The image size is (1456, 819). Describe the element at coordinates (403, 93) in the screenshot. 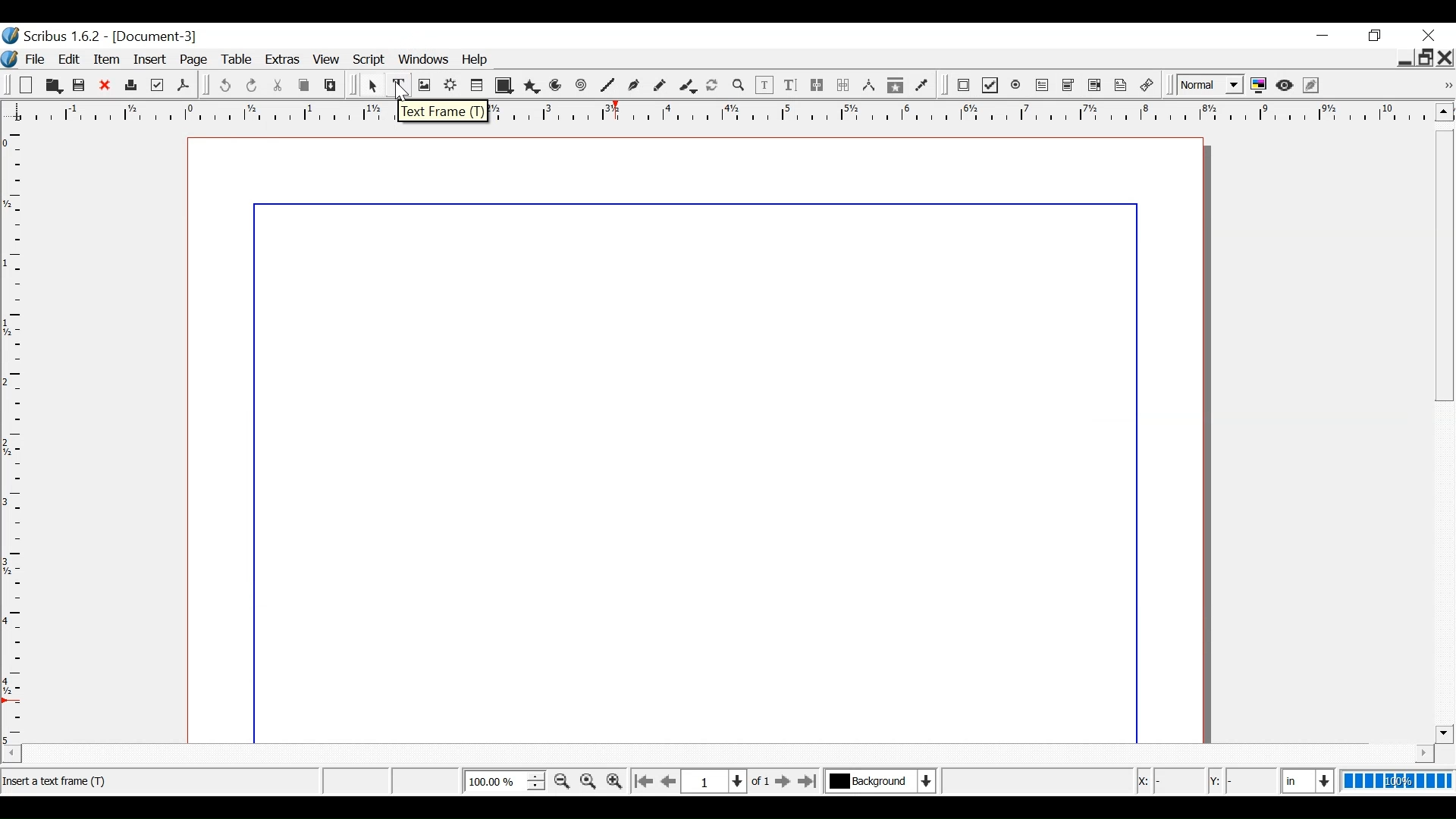

I see `Cursor` at that location.